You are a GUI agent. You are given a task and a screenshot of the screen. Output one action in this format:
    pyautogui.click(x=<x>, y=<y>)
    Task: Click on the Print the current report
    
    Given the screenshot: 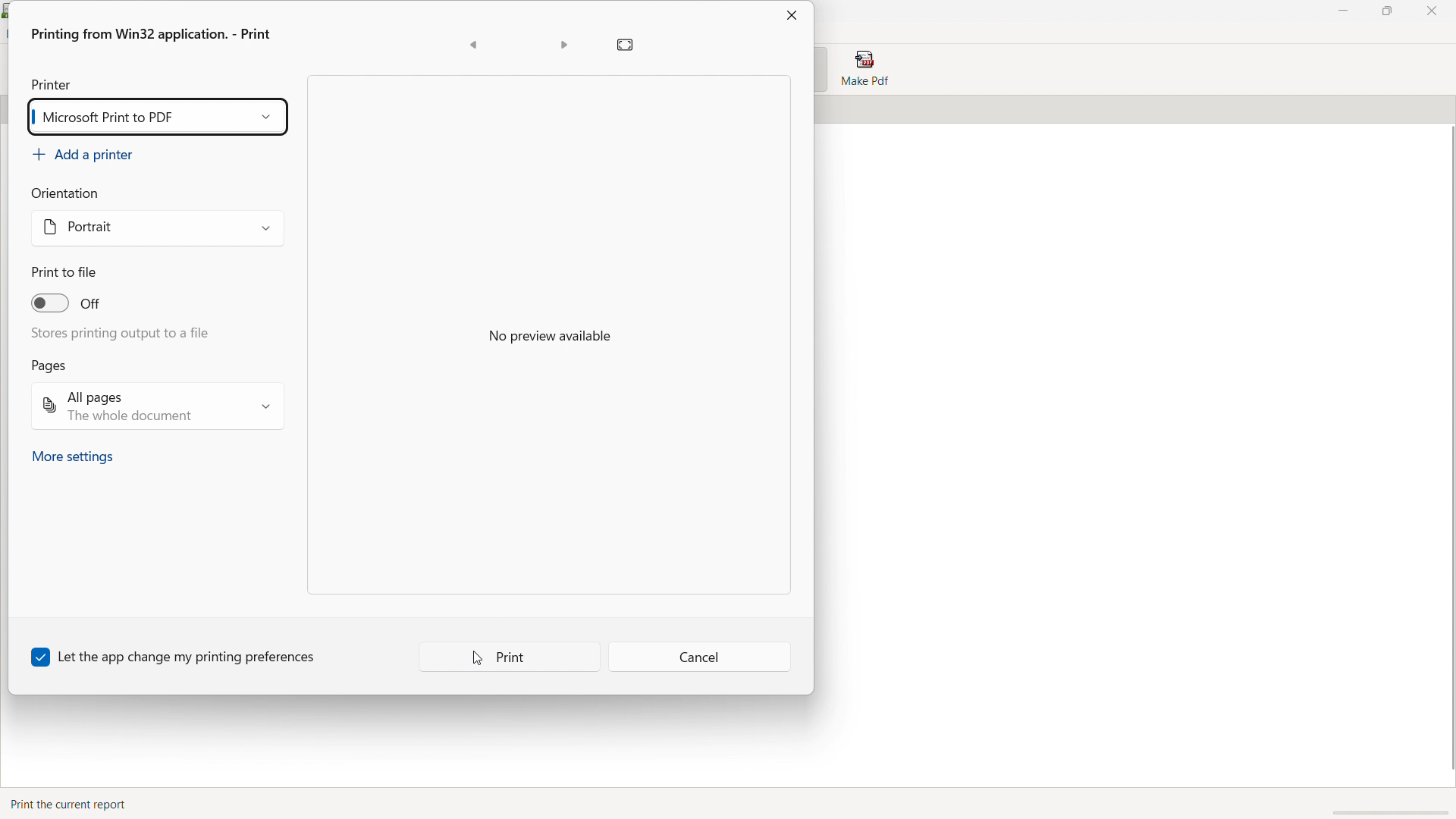 What is the action you would take?
    pyautogui.click(x=70, y=802)
    